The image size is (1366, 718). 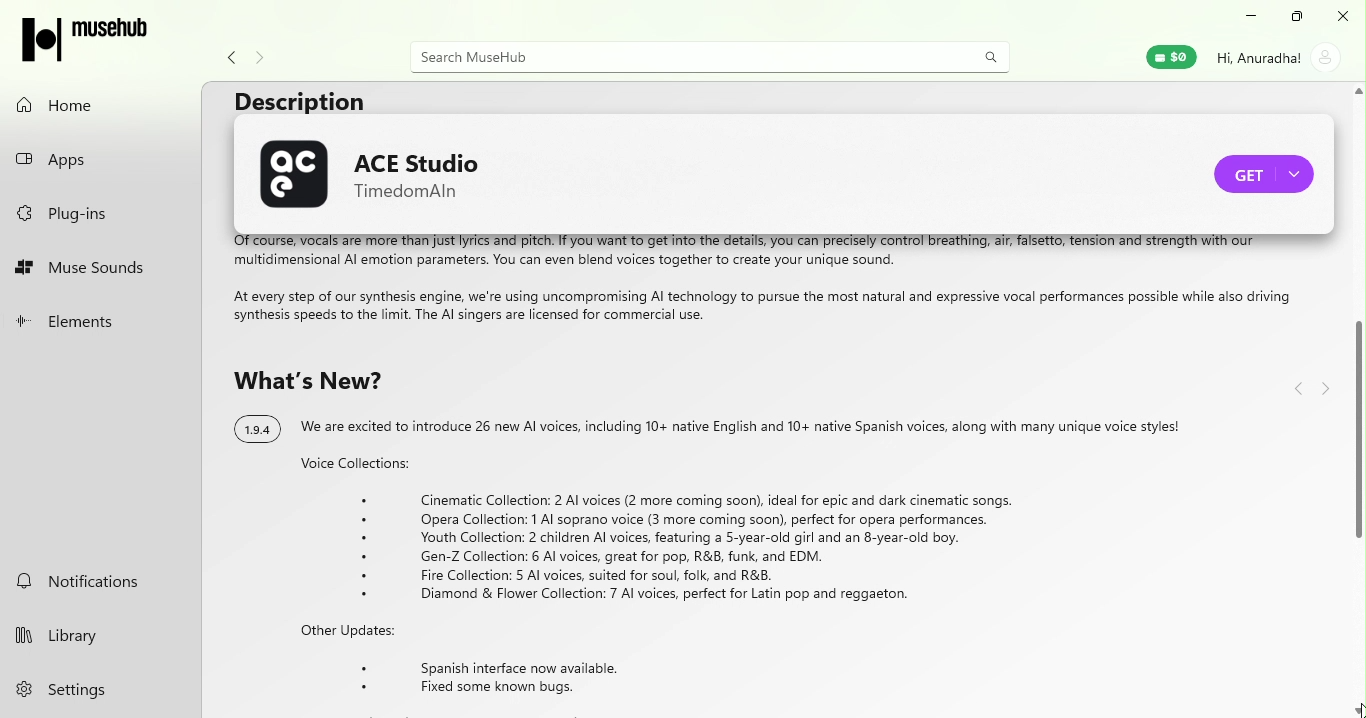 What do you see at coordinates (104, 321) in the screenshot?
I see `elements` at bounding box center [104, 321].